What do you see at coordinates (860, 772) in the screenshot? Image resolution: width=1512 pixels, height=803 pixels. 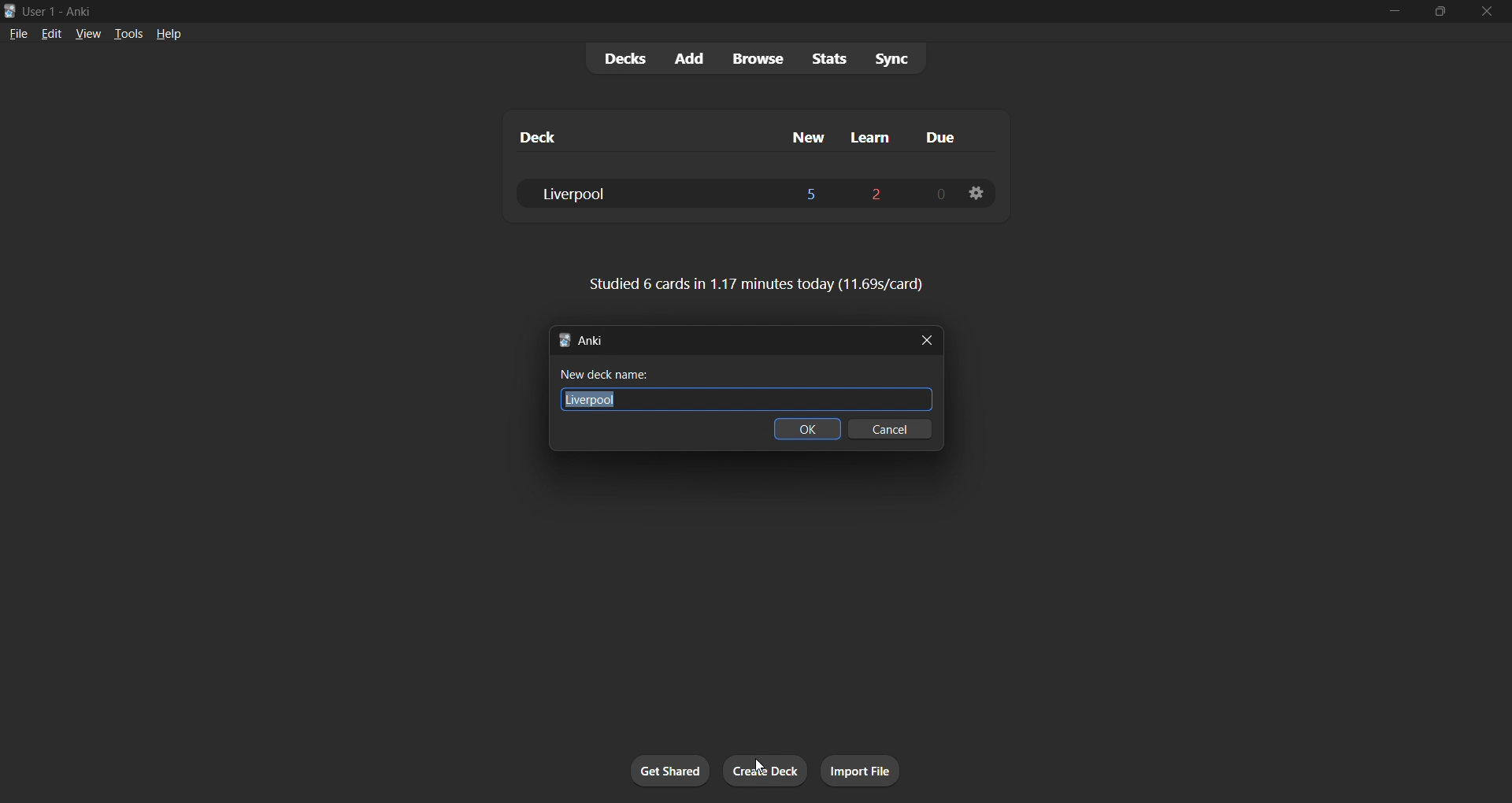 I see `import file` at bounding box center [860, 772].